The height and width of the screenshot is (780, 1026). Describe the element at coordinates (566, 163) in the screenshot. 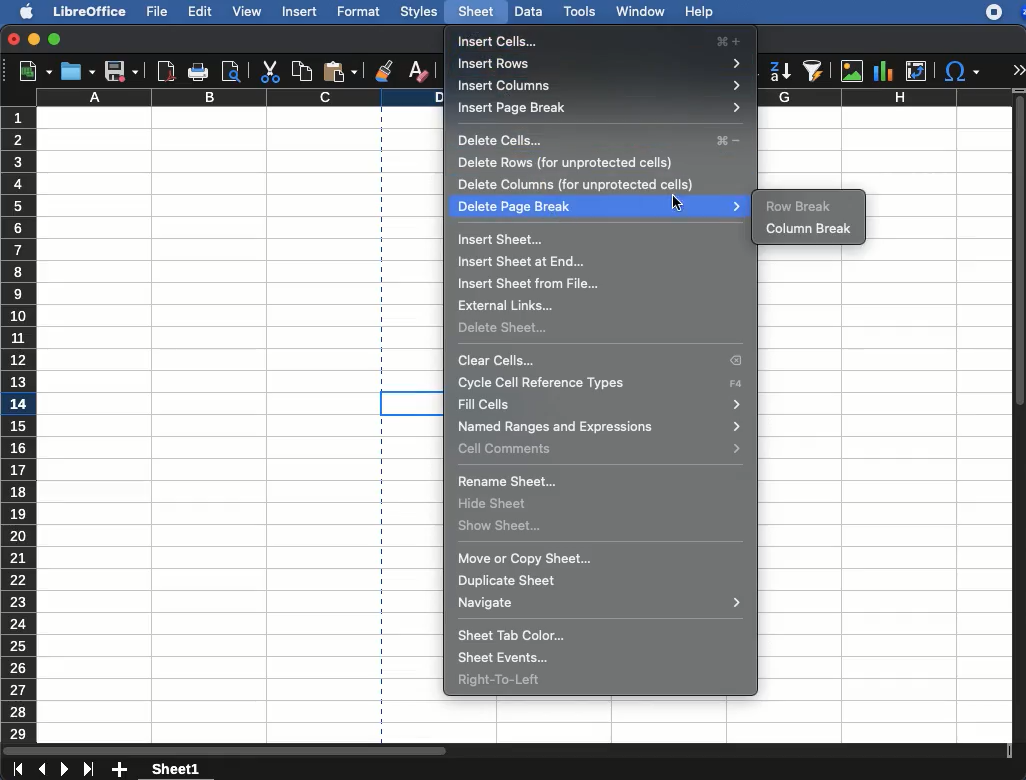

I see `delete rows (for unprotected cells)` at that location.